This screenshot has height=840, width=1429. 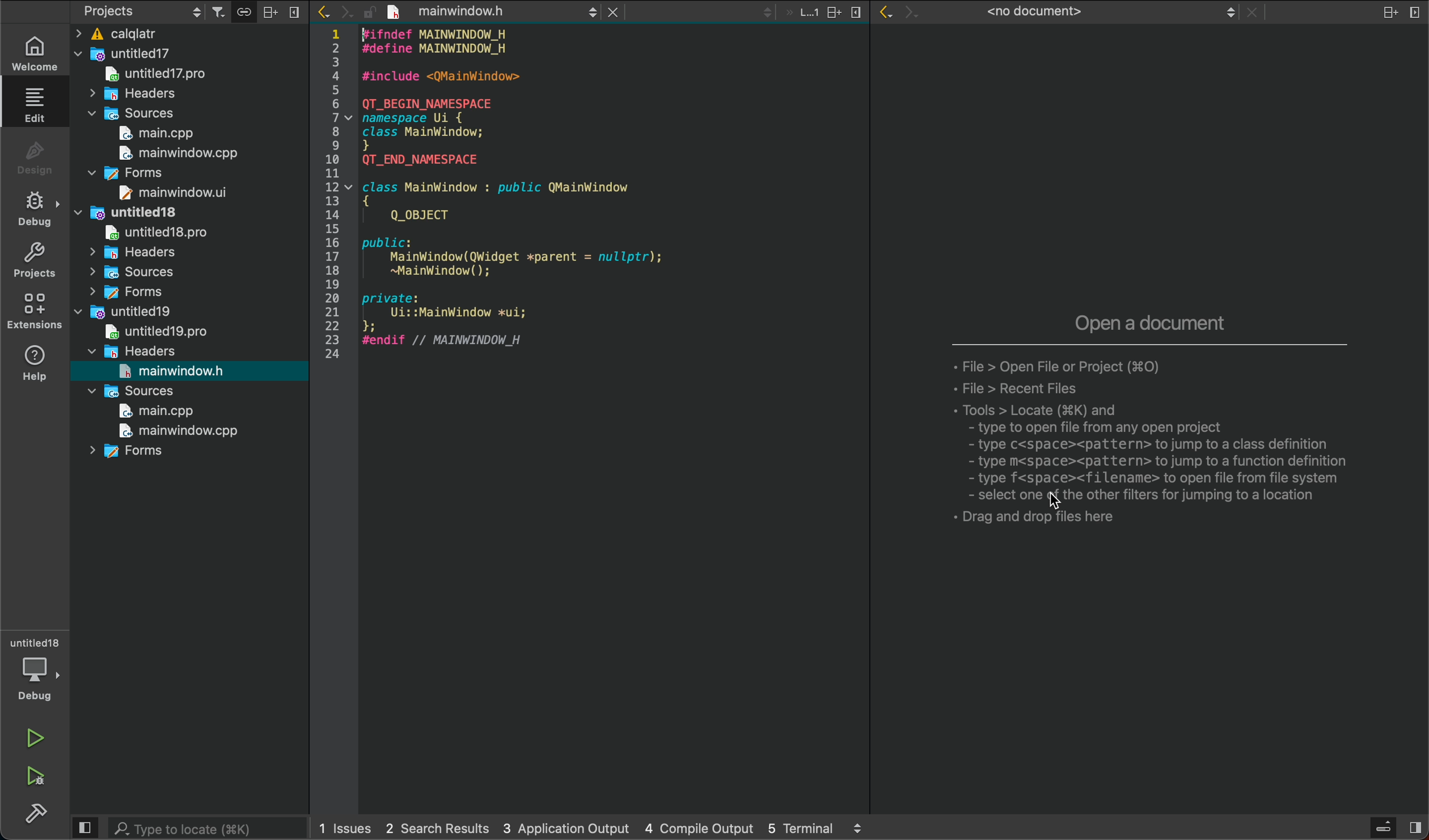 I want to click on edit, so click(x=36, y=103).